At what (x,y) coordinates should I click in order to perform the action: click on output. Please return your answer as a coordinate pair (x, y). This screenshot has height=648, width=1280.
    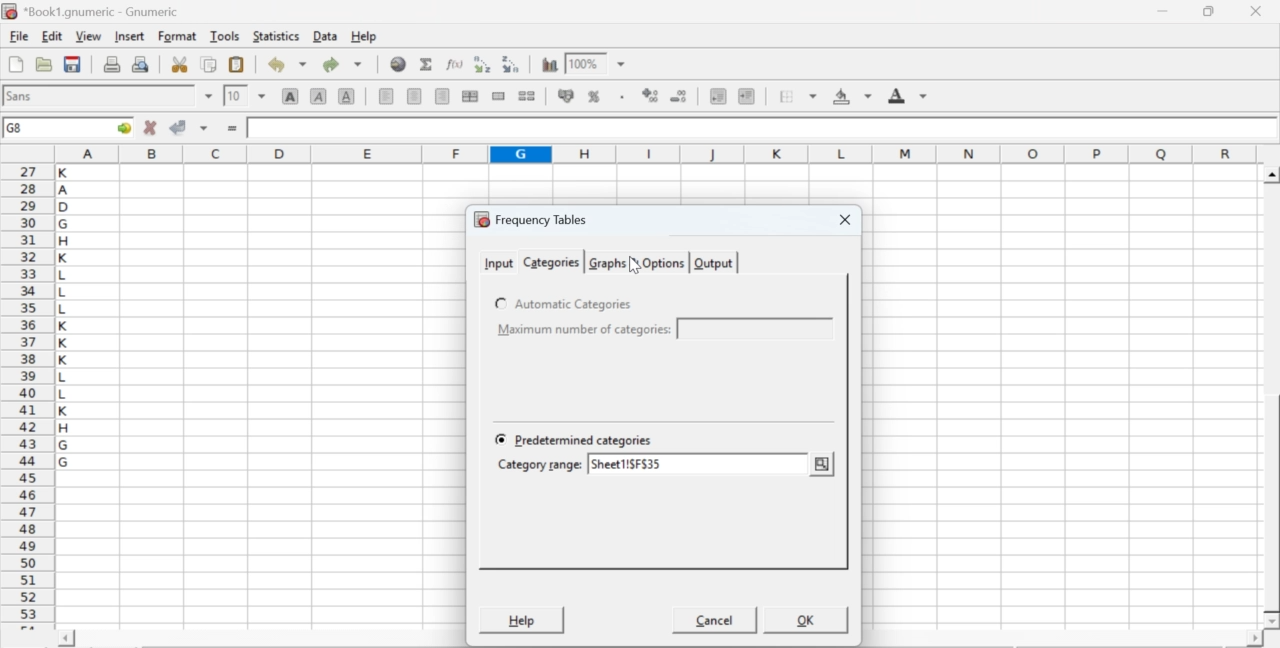
    Looking at the image, I should click on (714, 263).